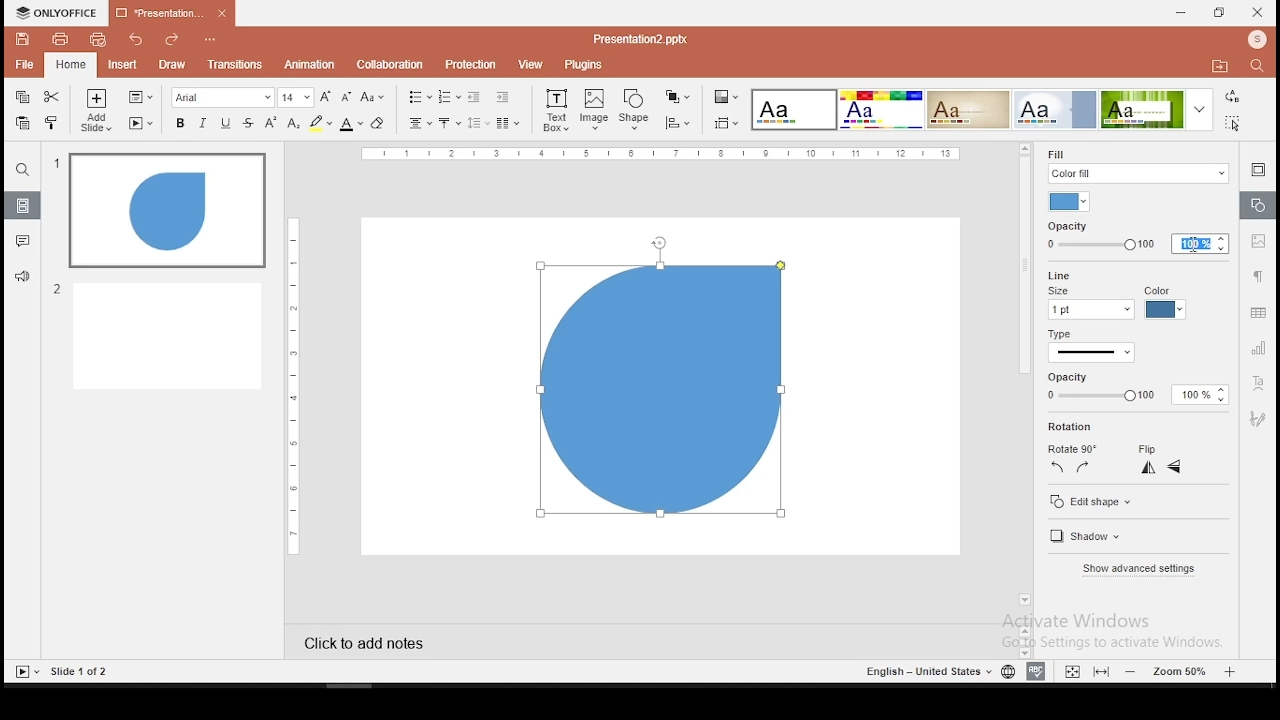 The width and height of the screenshot is (1280, 720). I want to click on plugins, so click(584, 64).